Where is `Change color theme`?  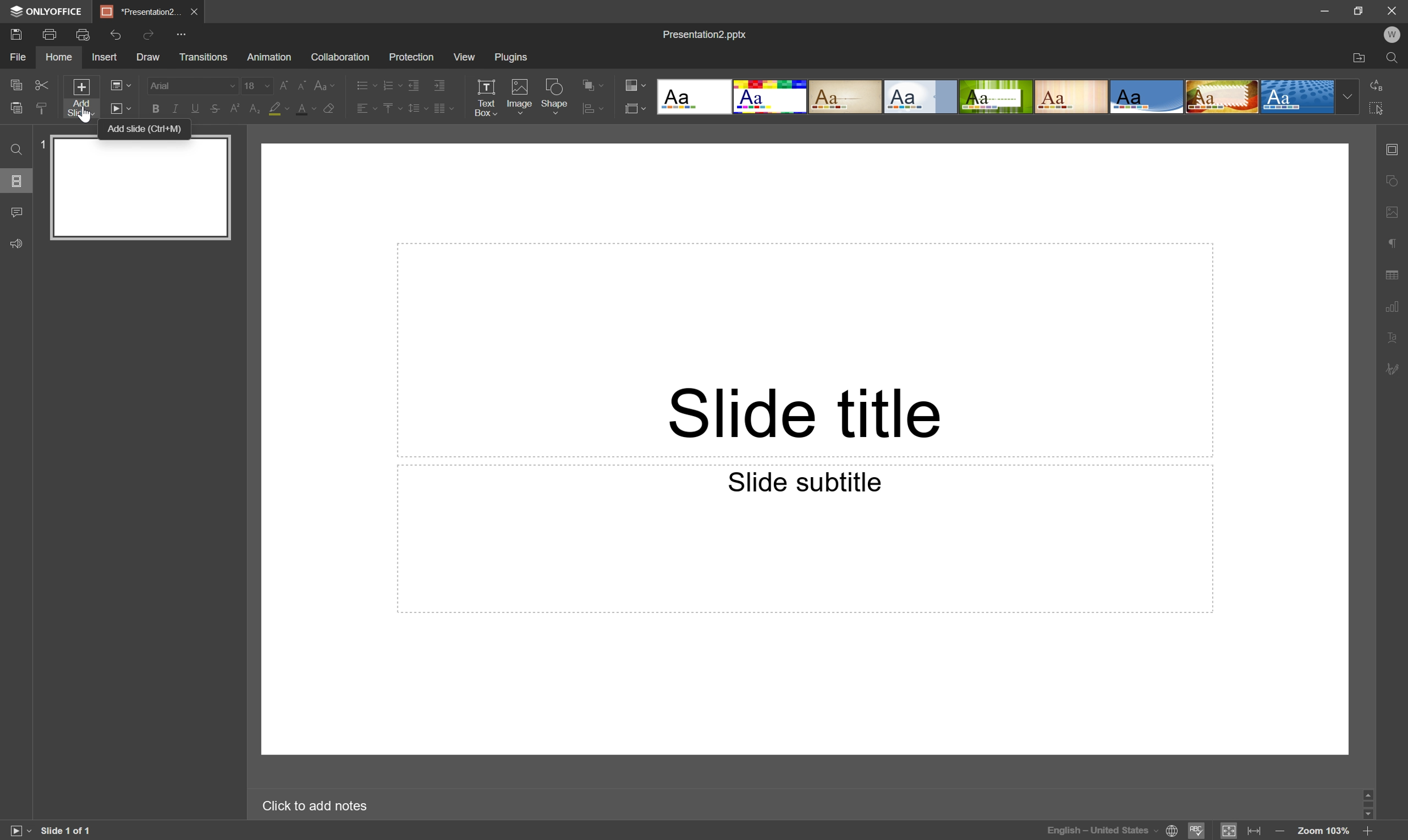
Change color theme is located at coordinates (635, 83).